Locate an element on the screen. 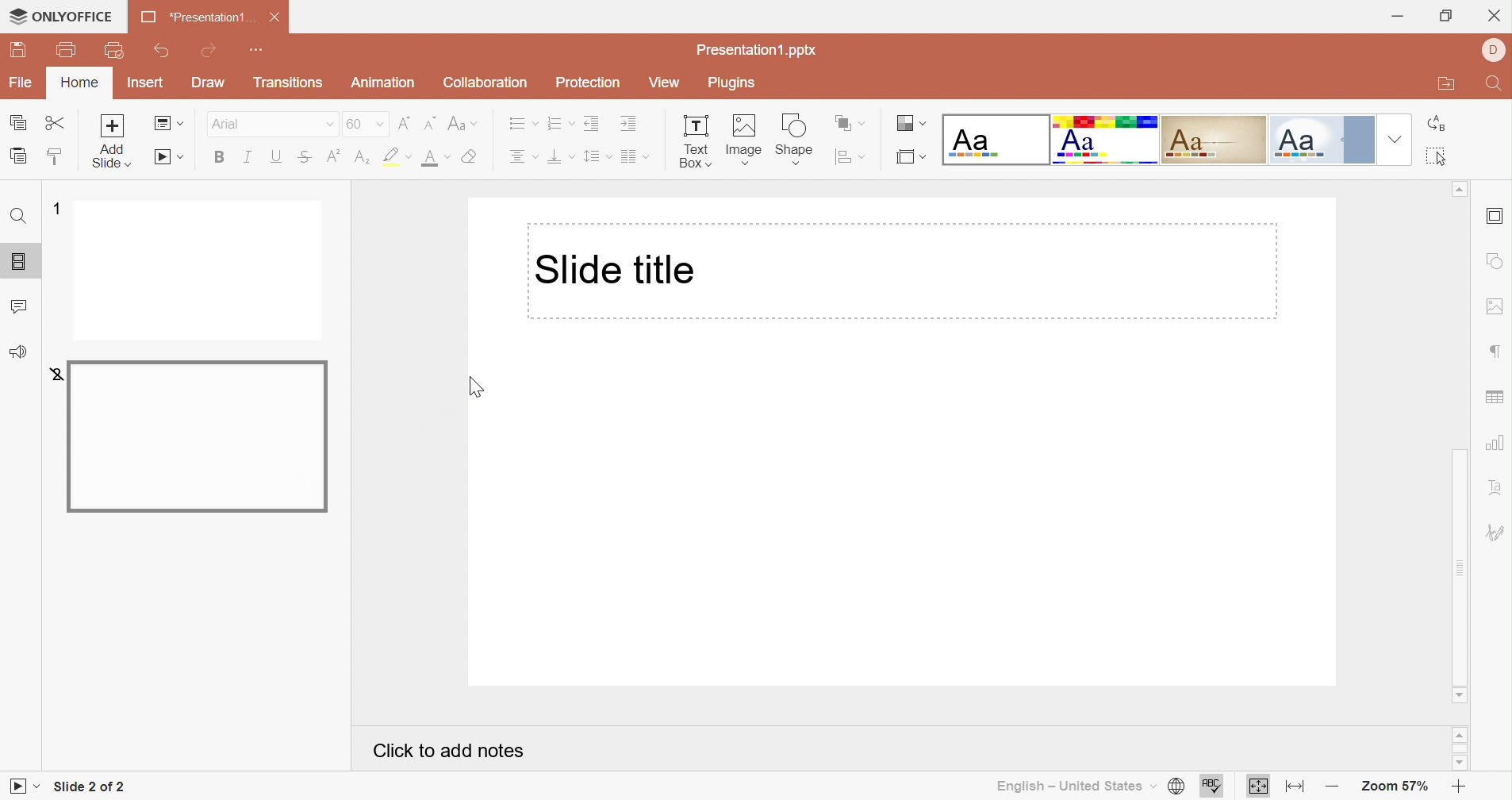  Strikethrough is located at coordinates (305, 158).